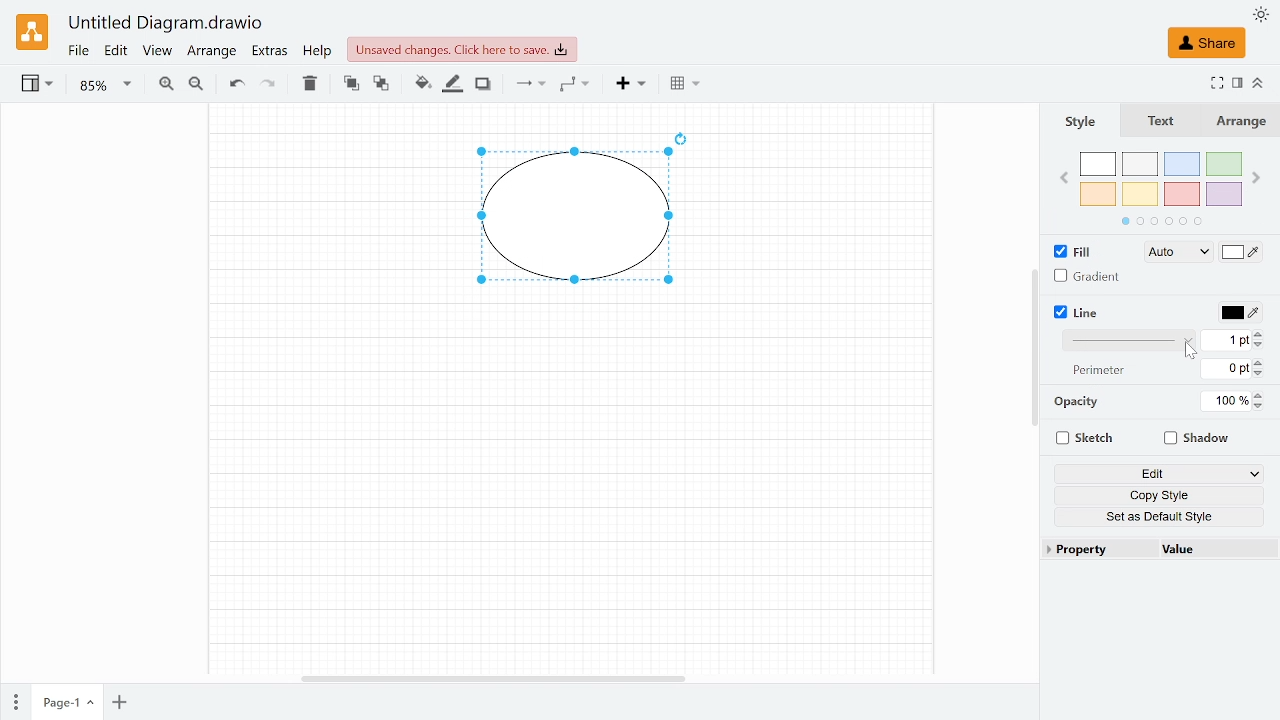  What do you see at coordinates (1262, 333) in the screenshot?
I see `Increase line width` at bounding box center [1262, 333].